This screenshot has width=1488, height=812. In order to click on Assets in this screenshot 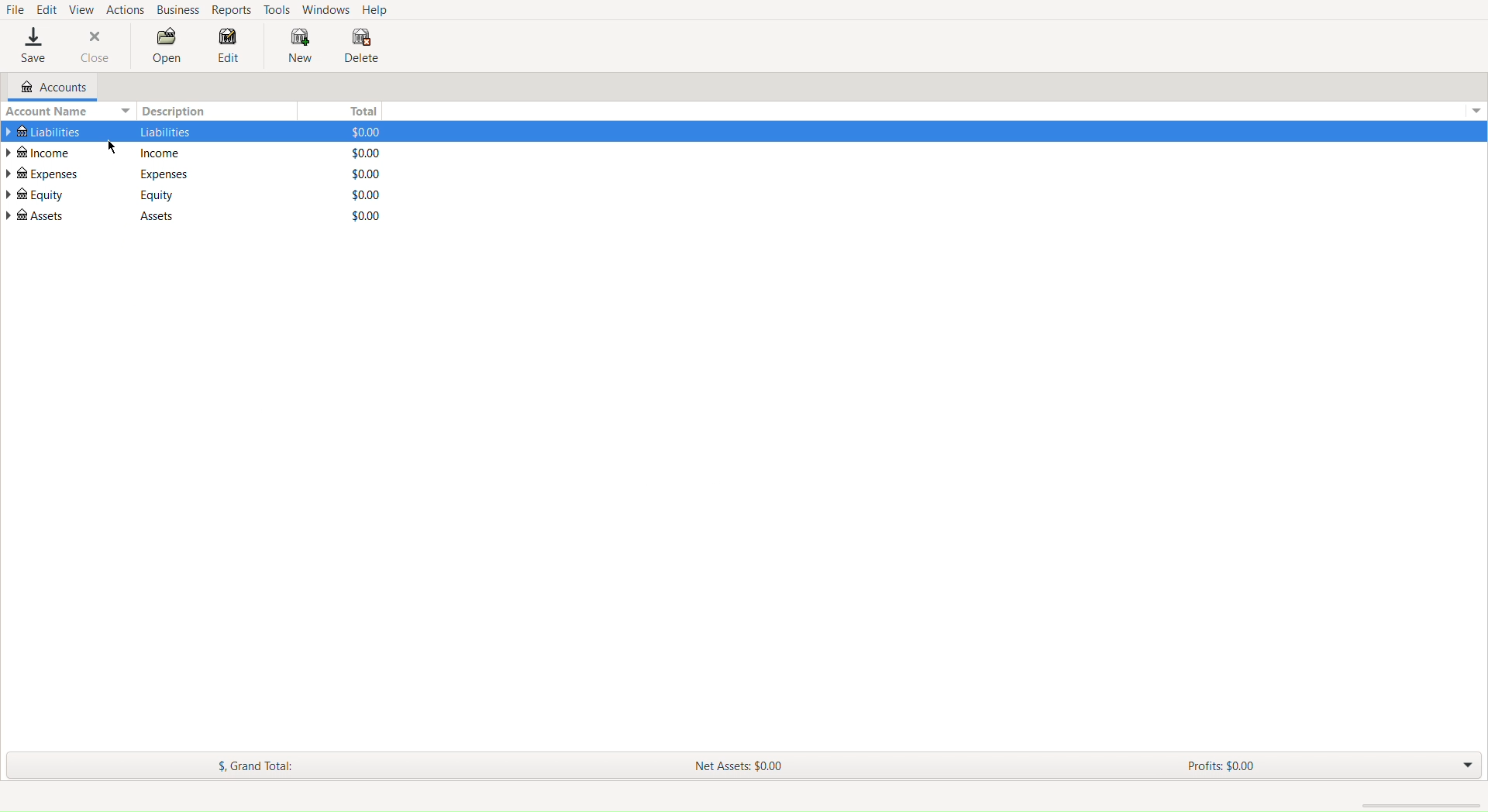, I will do `click(37, 216)`.